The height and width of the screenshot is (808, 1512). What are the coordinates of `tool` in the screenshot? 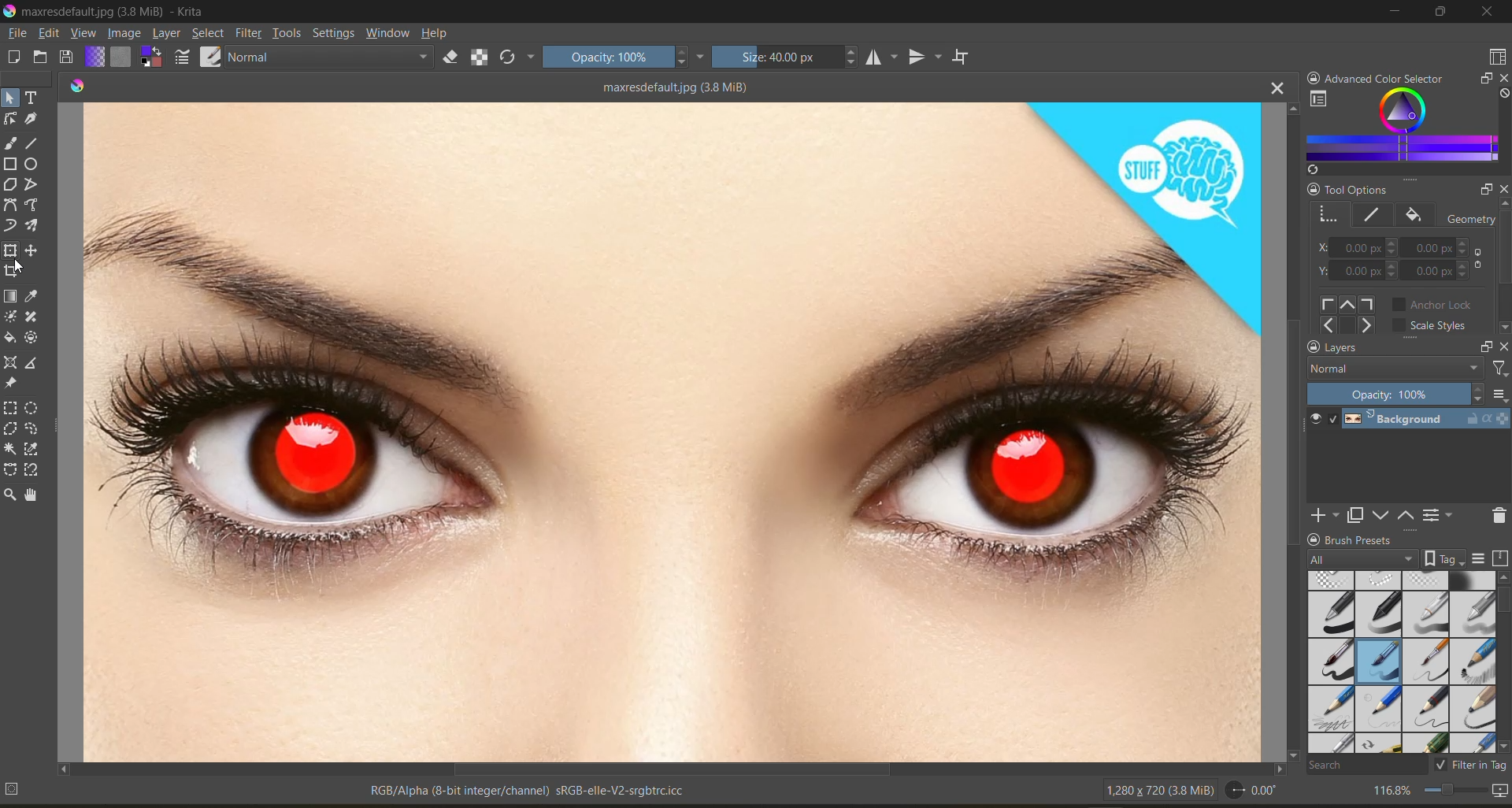 It's located at (10, 447).